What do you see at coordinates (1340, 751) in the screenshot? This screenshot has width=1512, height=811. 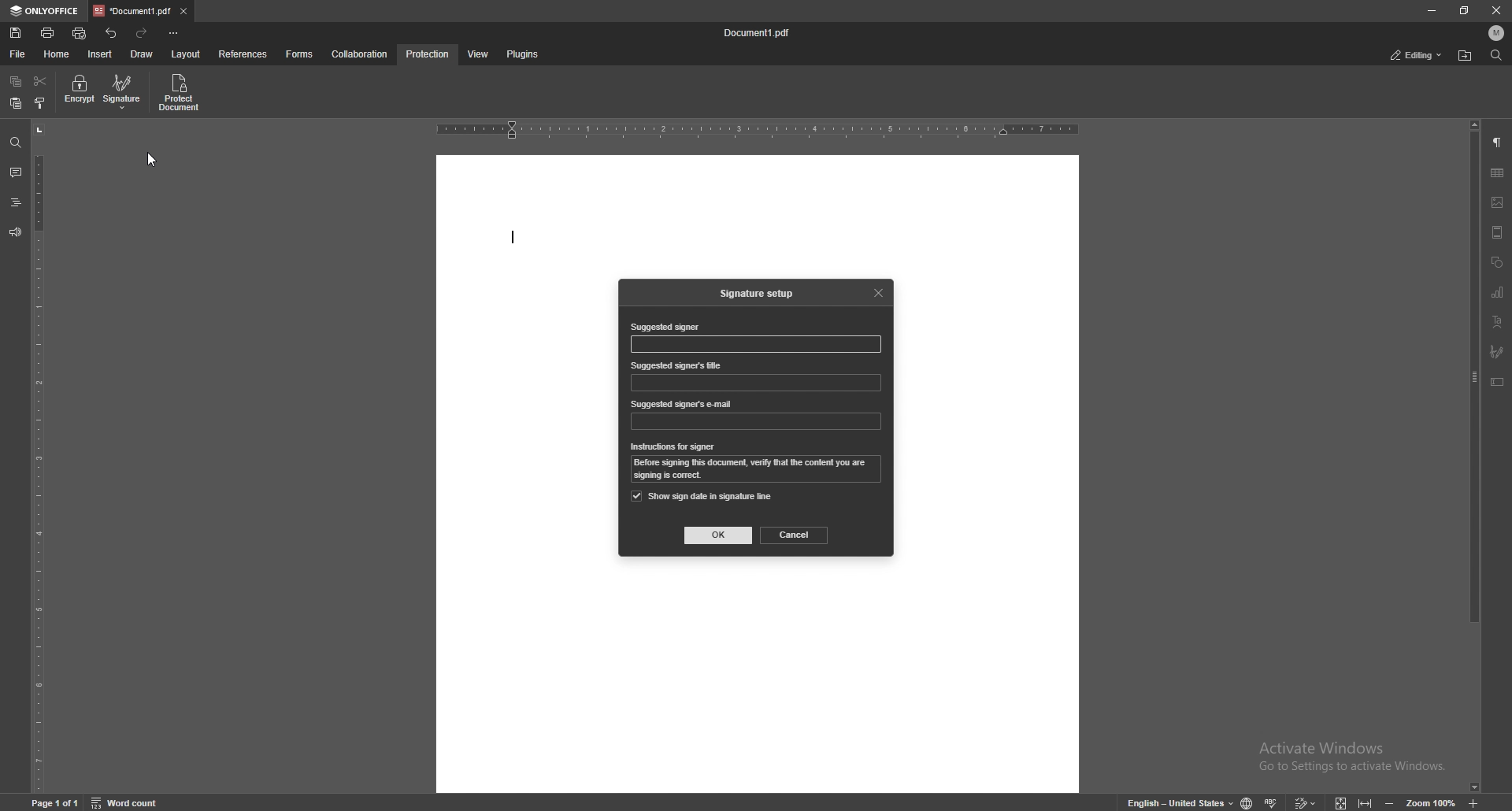 I see `Activate windows` at bounding box center [1340, 751].